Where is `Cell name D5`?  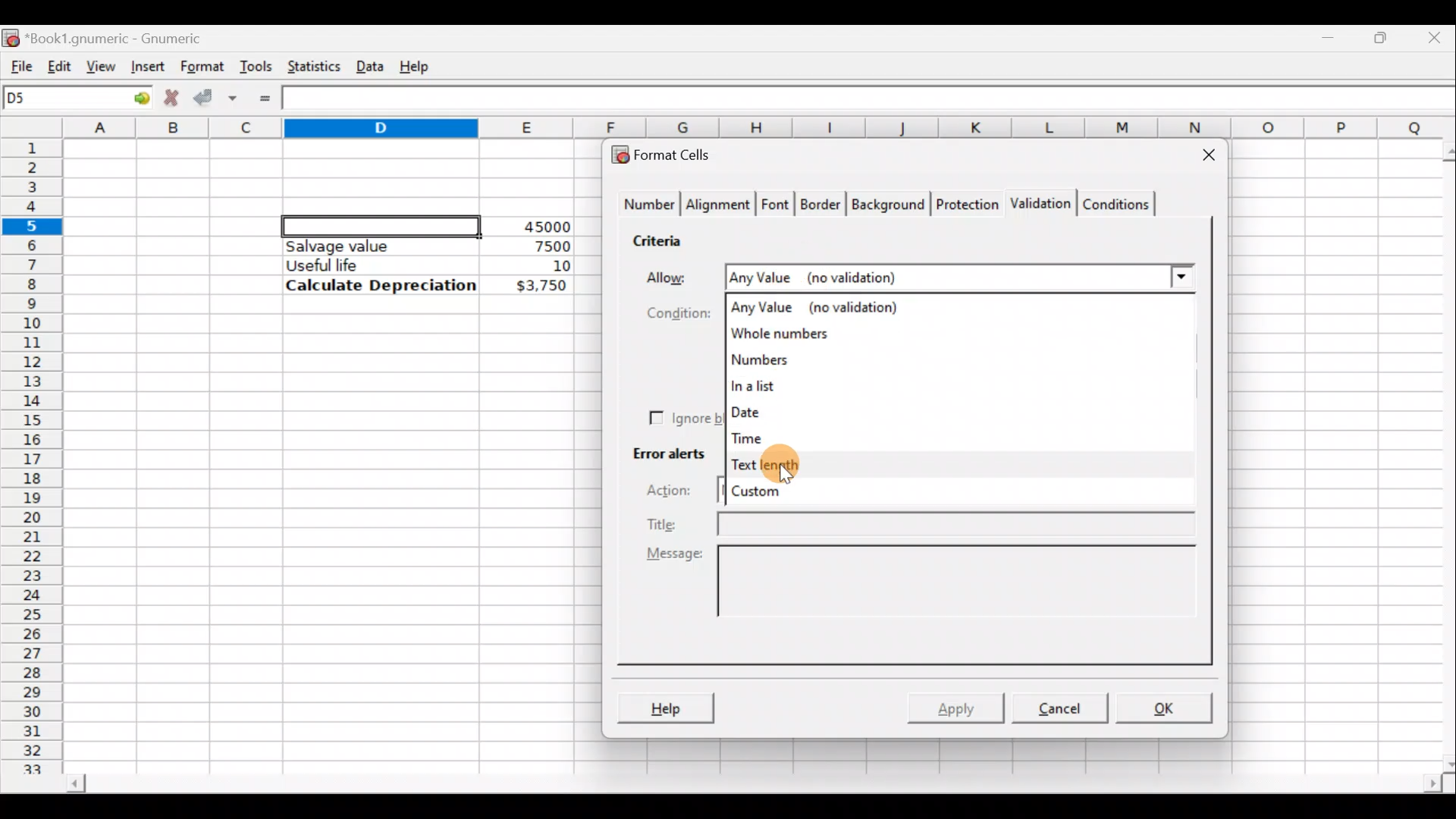
Cell name D5 is located at coordinates (59, 99).